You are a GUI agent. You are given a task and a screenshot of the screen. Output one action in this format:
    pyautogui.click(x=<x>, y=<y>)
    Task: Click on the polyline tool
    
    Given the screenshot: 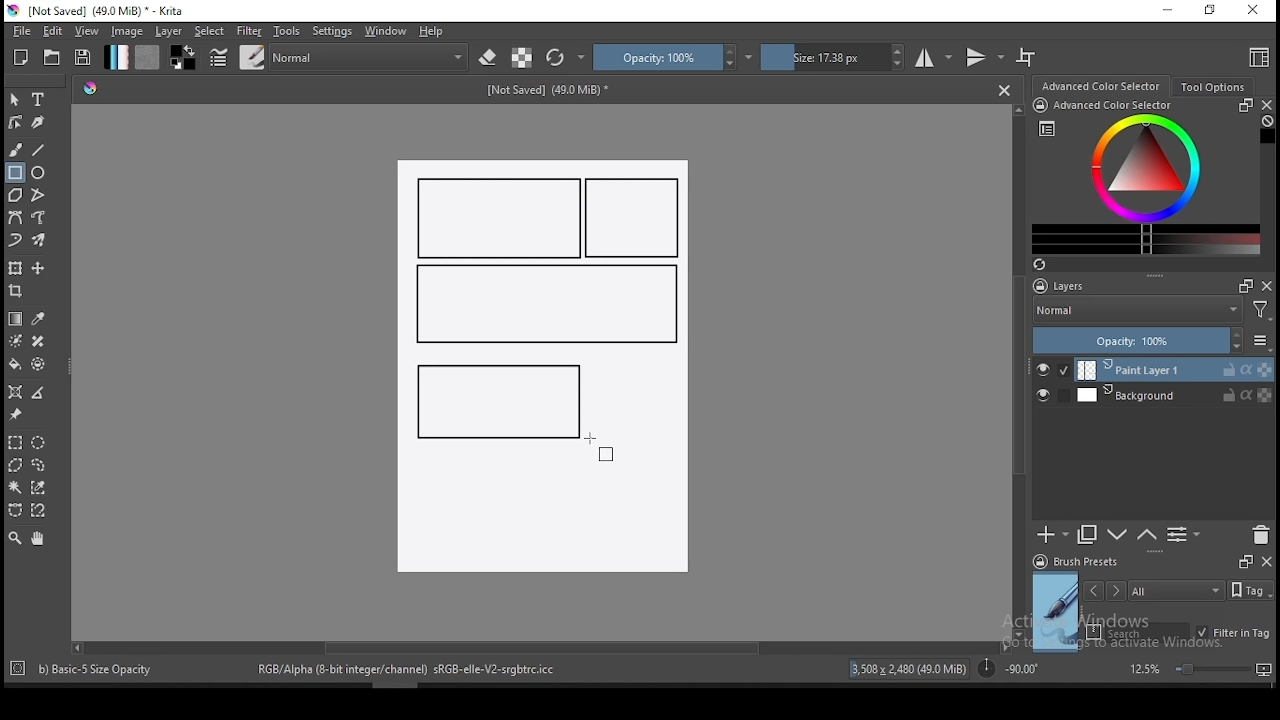 What is the action you would take?
    pyautogui.click(x=38, y=193)
    